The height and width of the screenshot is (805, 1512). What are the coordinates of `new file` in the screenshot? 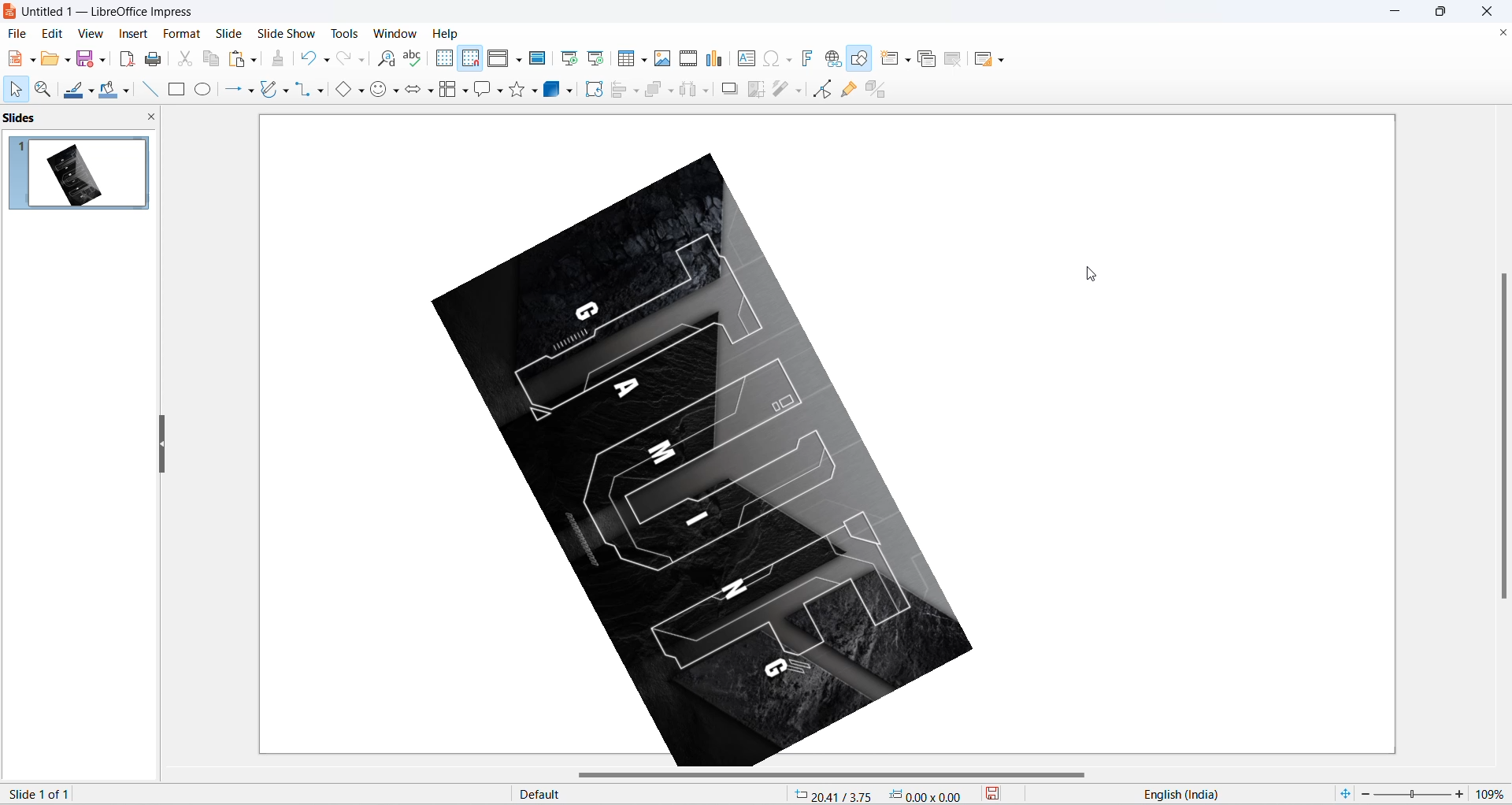 It's located at (15, 59).